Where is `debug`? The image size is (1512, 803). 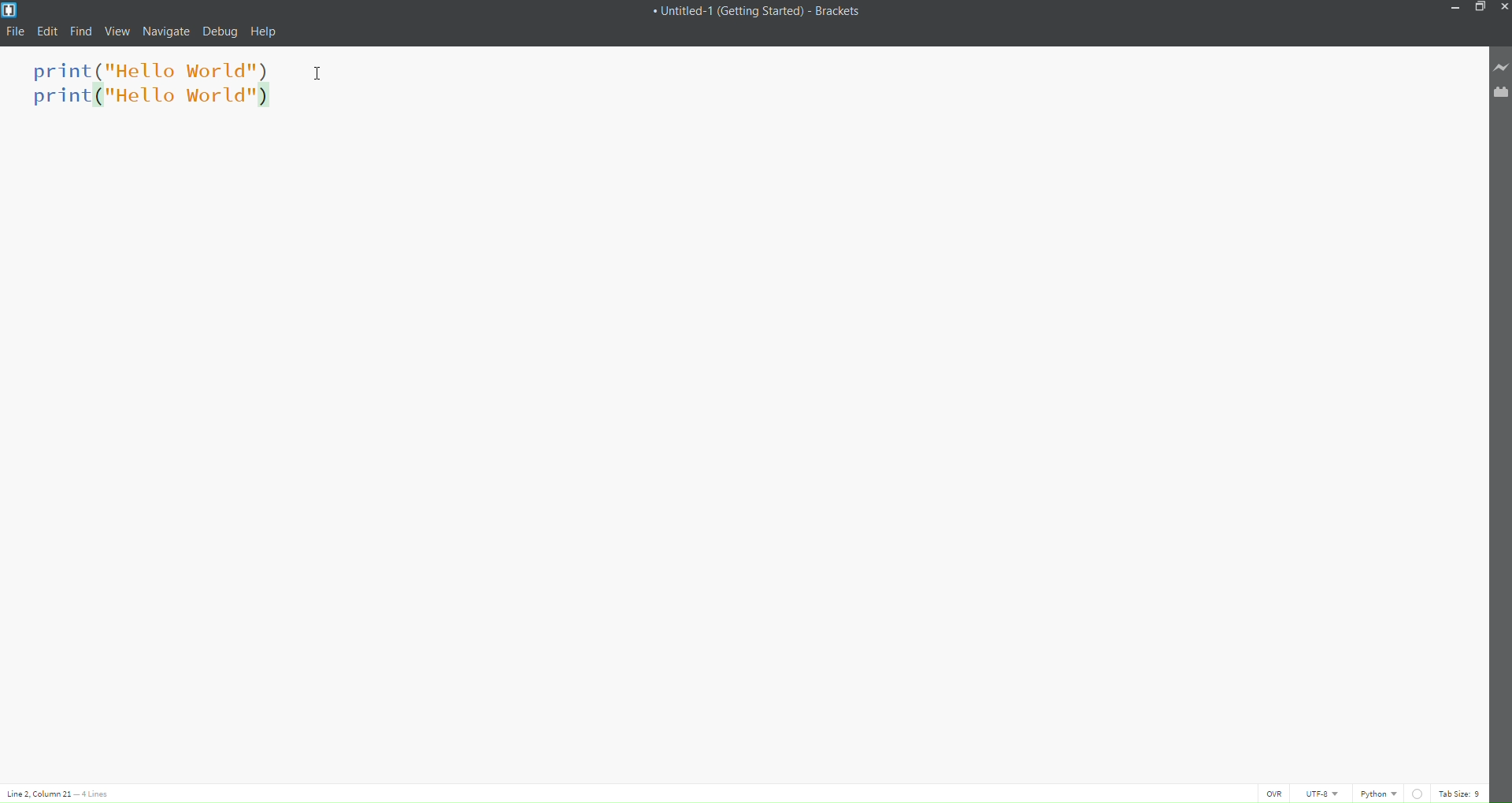
debug is located at coordinates (220, 31).